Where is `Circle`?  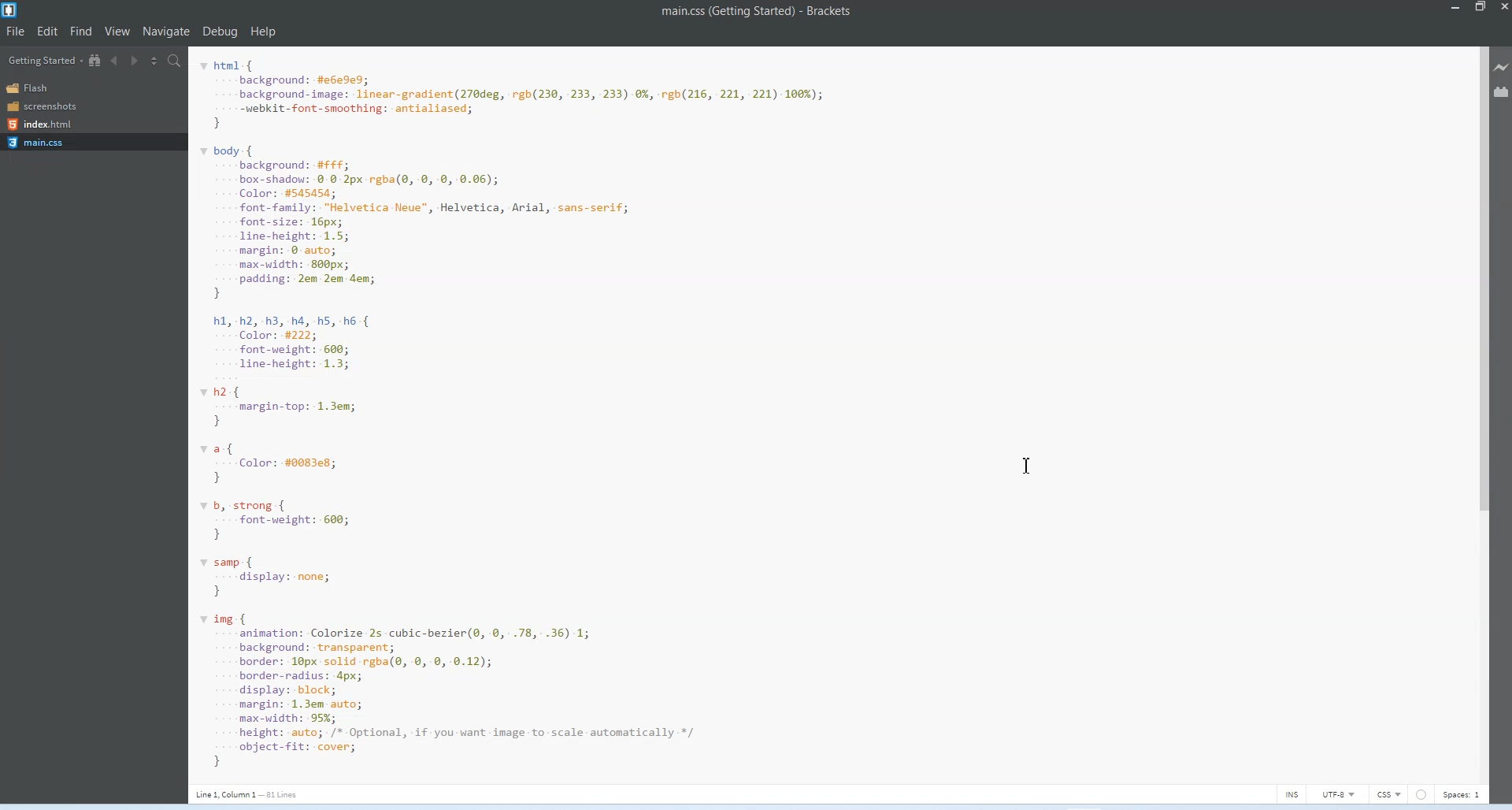 Circle is located at coordinates (1425, 793).